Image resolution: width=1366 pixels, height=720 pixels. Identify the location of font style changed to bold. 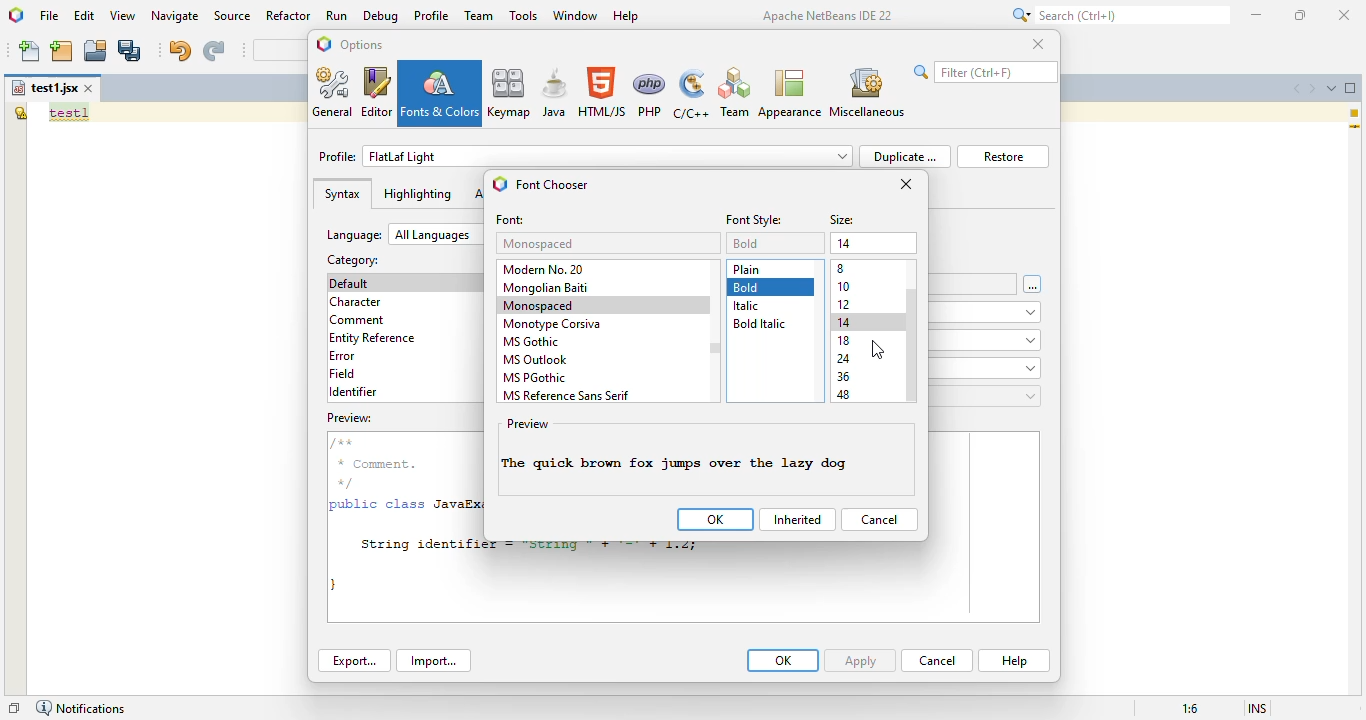
(675, 463).